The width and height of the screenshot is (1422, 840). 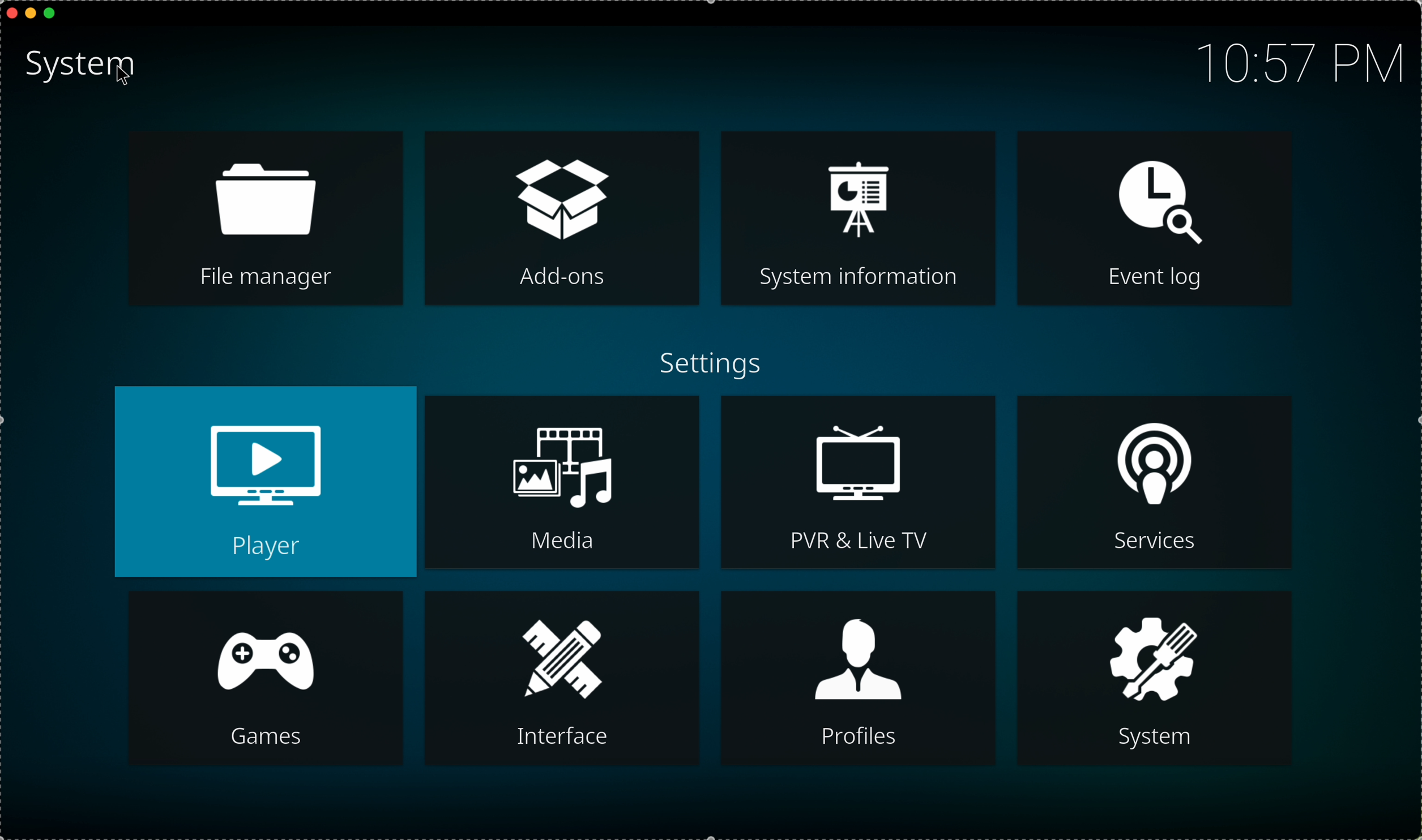 What do you see at coordinates (1293, 61) in the screenshot?
I see `10:57 PM` at bounding box center [1293, 61].